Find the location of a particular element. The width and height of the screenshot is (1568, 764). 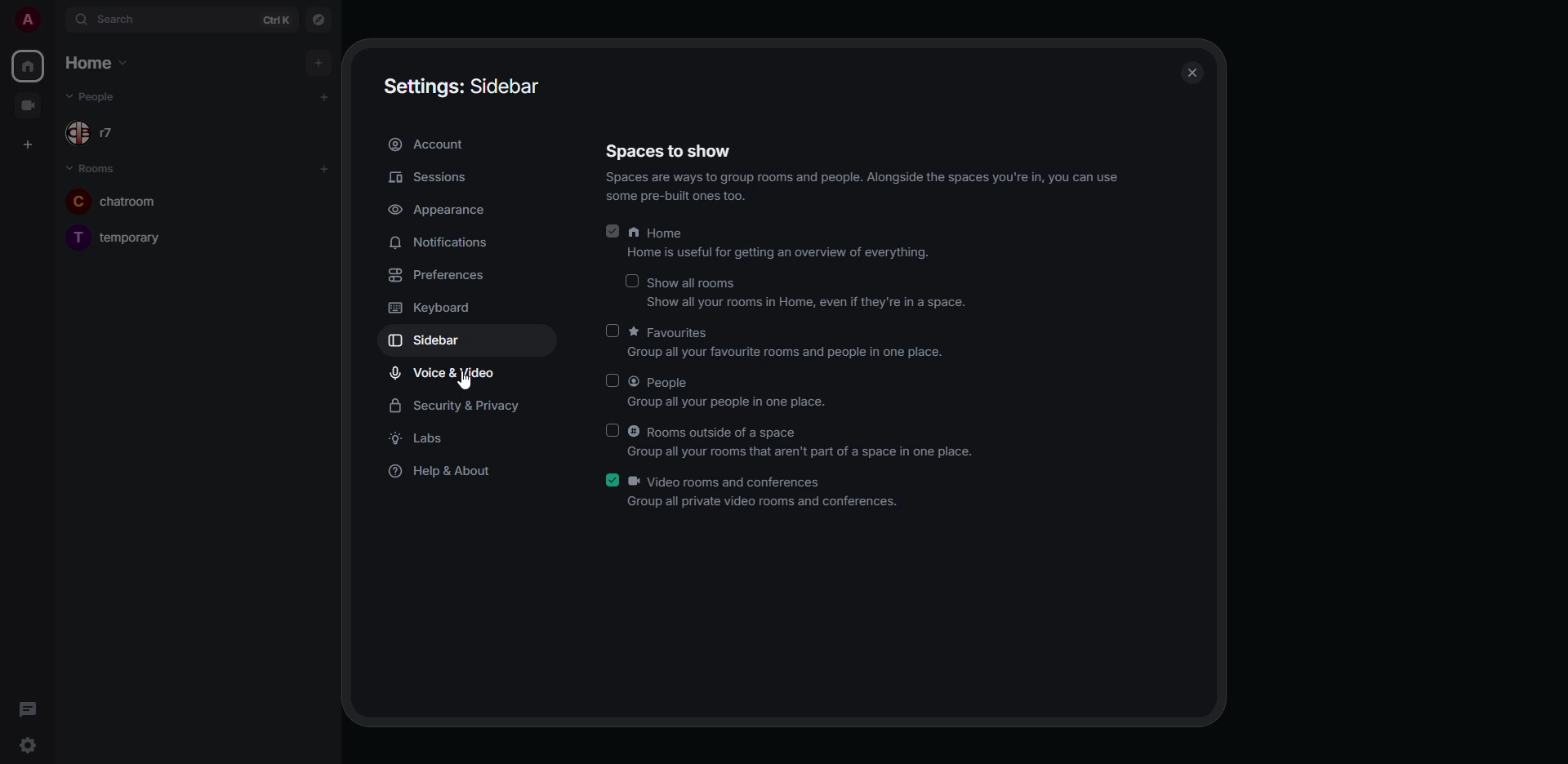

profile is located at coordinates (29, 20).